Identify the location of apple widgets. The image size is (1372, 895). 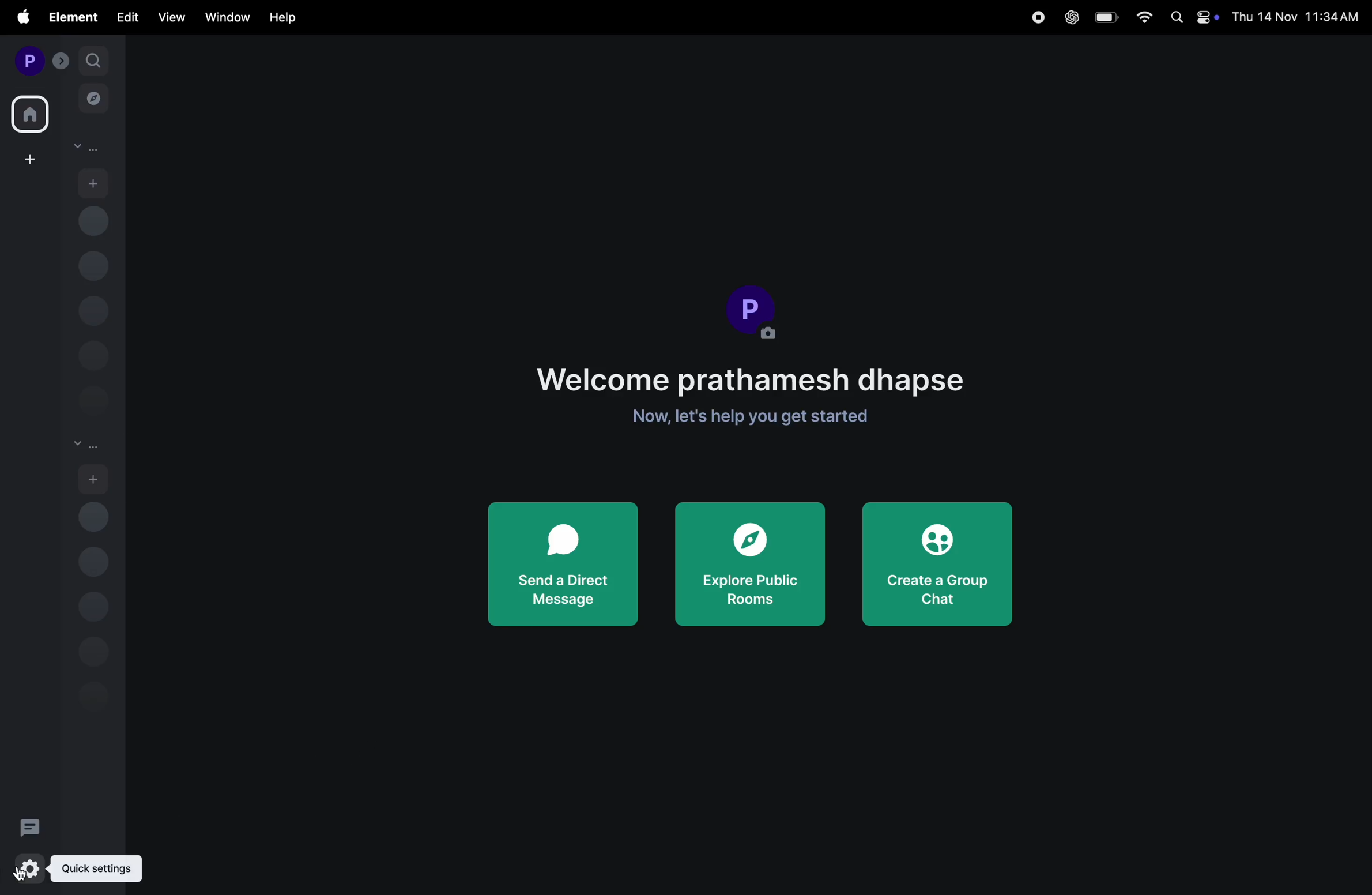
(1190, 17).